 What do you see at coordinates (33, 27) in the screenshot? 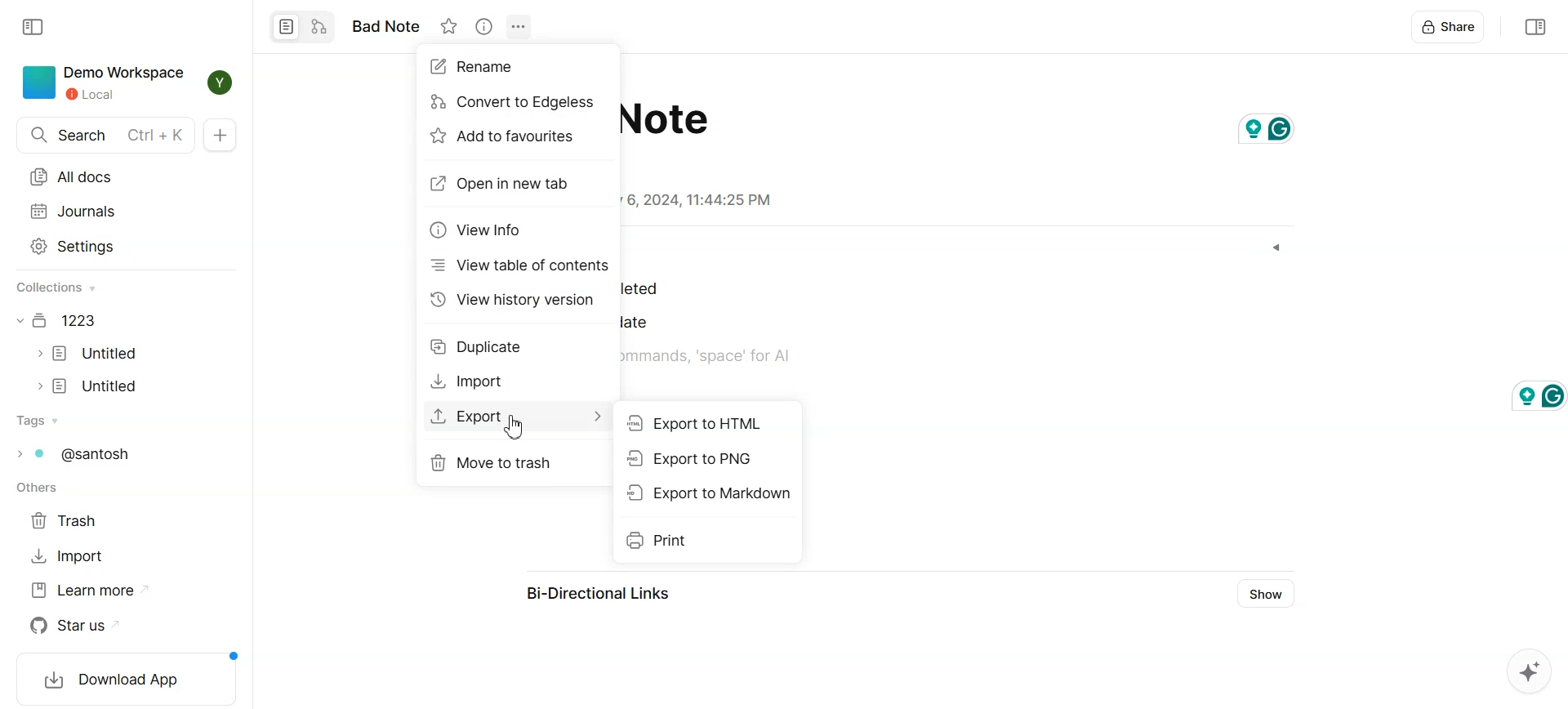
I see `Collapse sidebar` at bounding box center [33, 27].